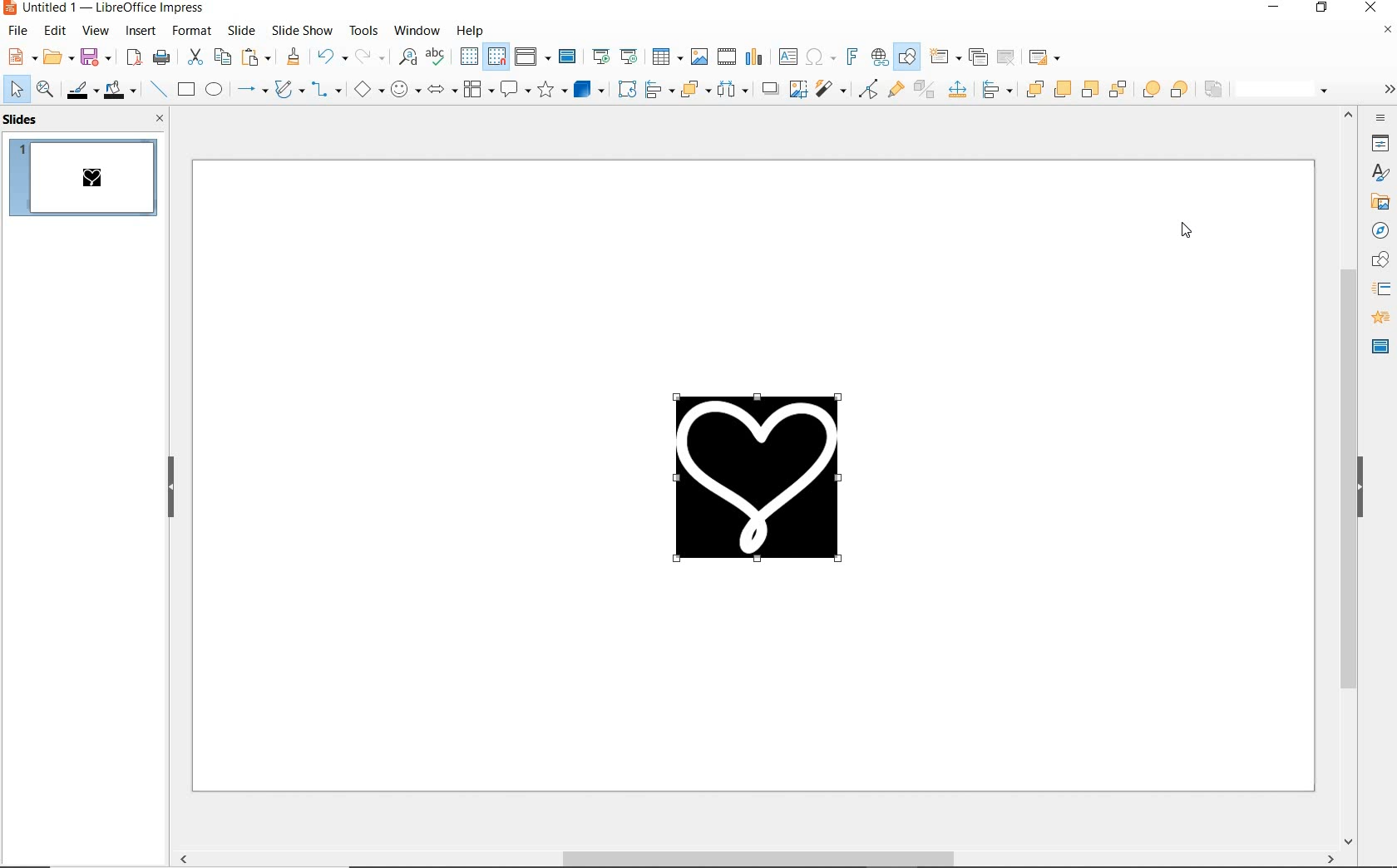 Image resolution: width=1397 pixels, height=868 pixels. What do you see at coordinates (134, 57) in the screenshot?
I see `export as pdf` at bounding box center [134, 57].